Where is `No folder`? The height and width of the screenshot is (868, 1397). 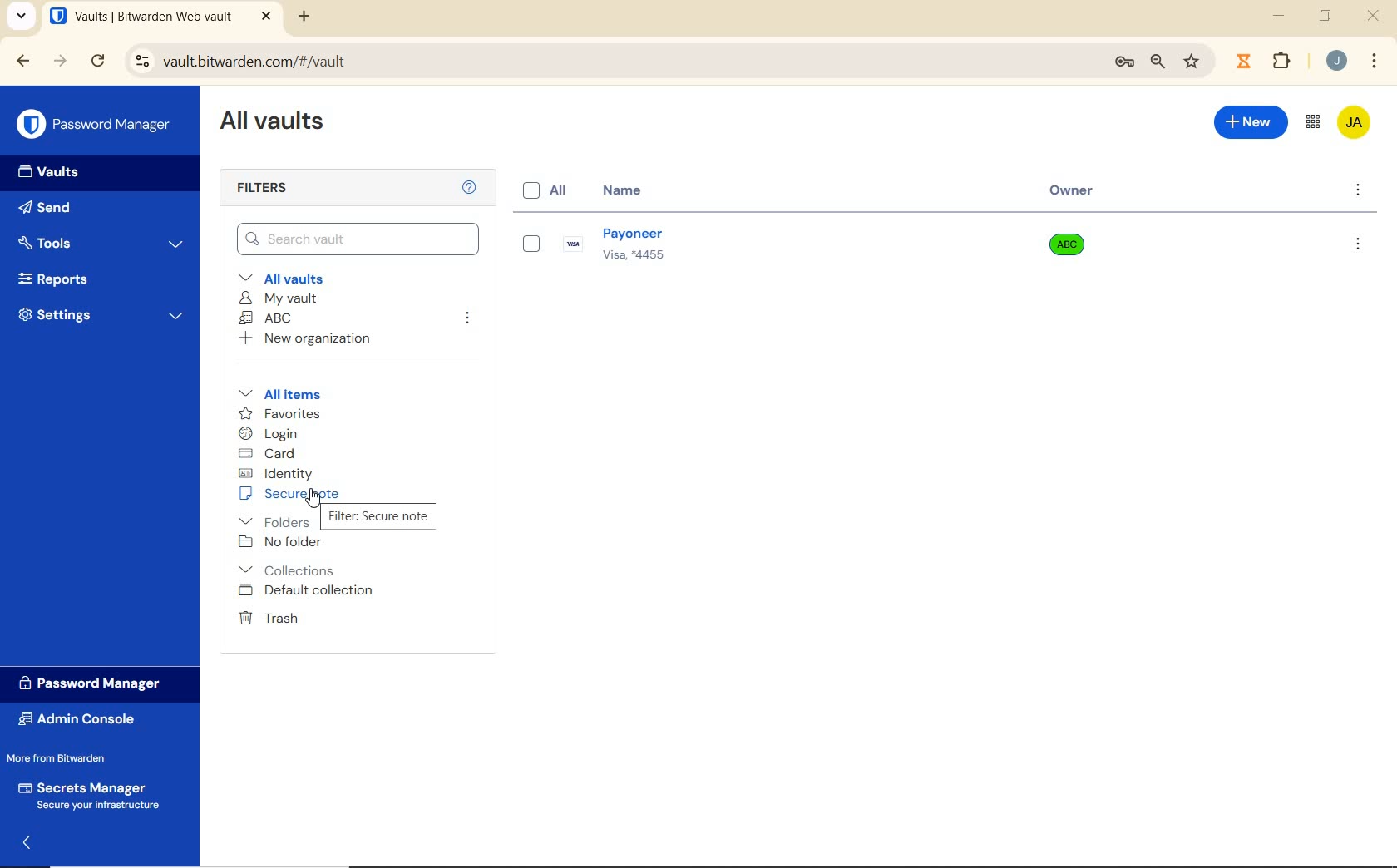
No folder is located at coordinates (280, 542).